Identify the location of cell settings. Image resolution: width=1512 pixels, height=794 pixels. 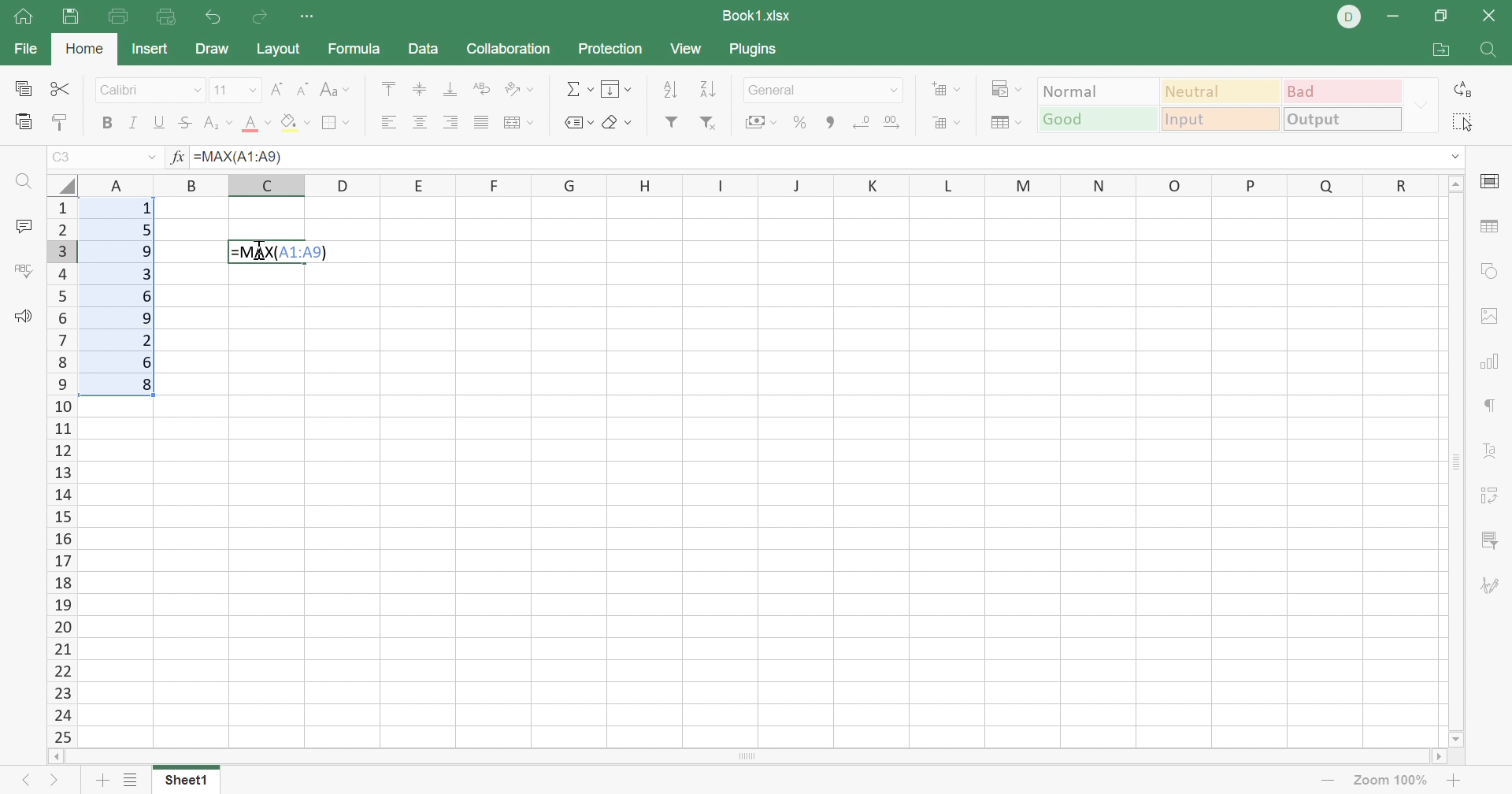
(1492, 183).